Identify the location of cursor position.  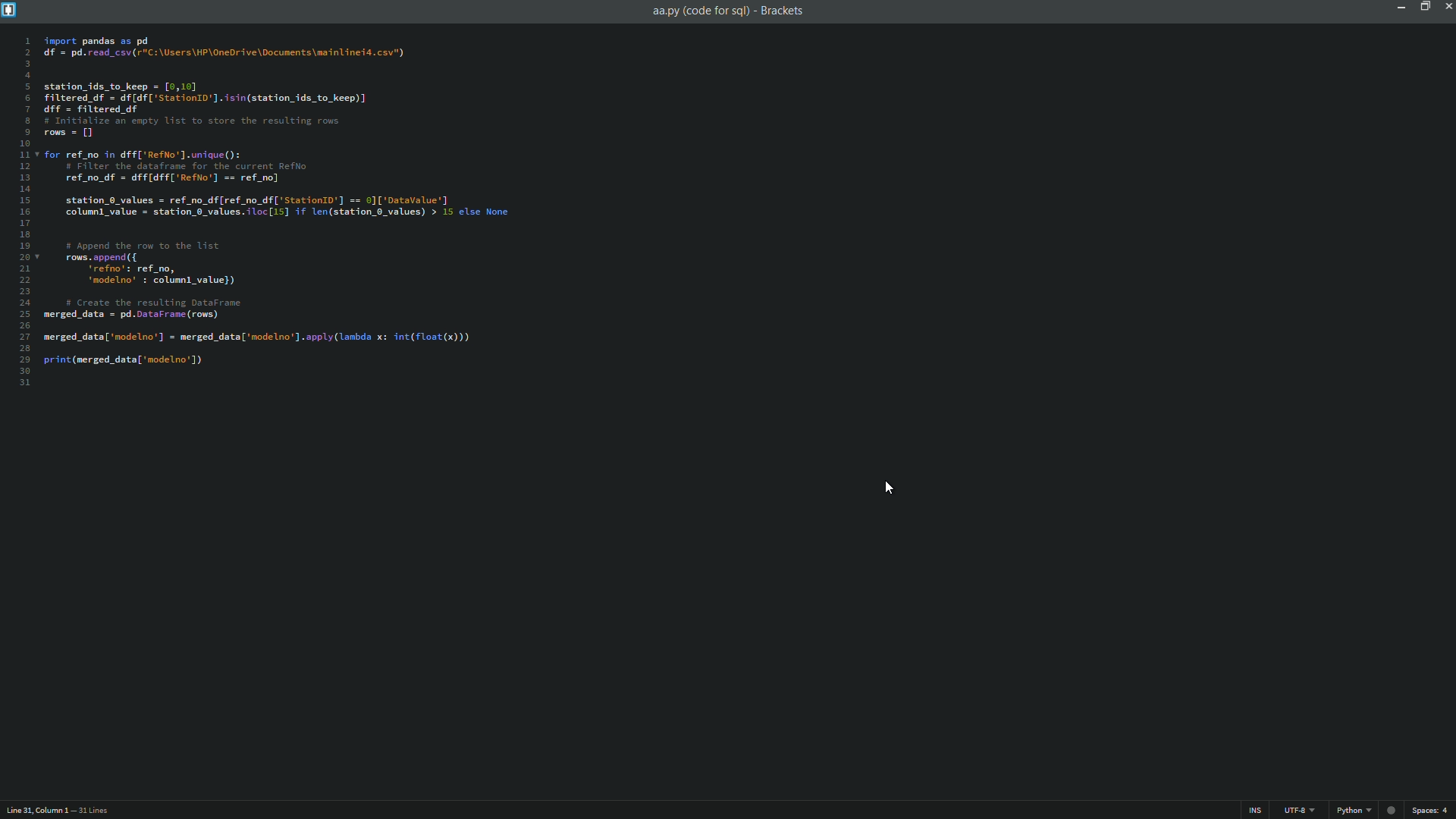
(32, 811).